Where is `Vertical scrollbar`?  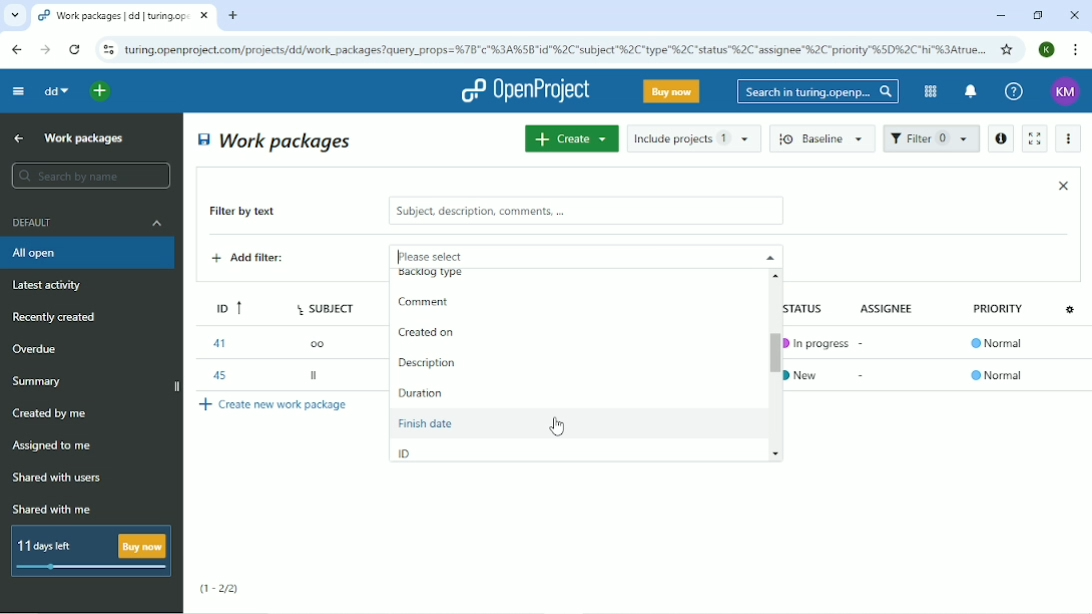 Vertical scrollbar is located at coordinates (769, 346).